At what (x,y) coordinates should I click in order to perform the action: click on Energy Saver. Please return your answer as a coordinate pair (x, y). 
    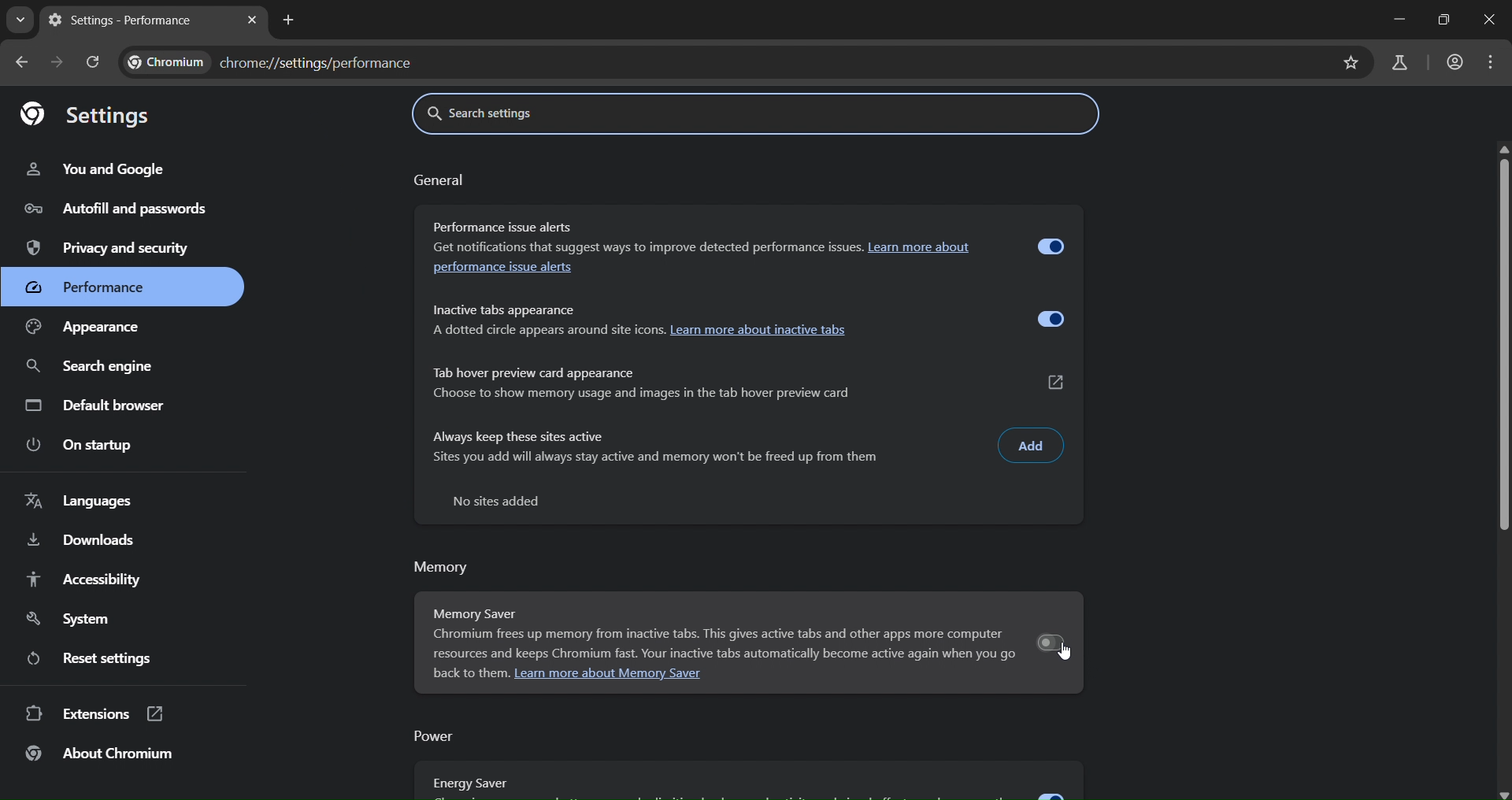
    Looking at the image, I should click on (490, 782).